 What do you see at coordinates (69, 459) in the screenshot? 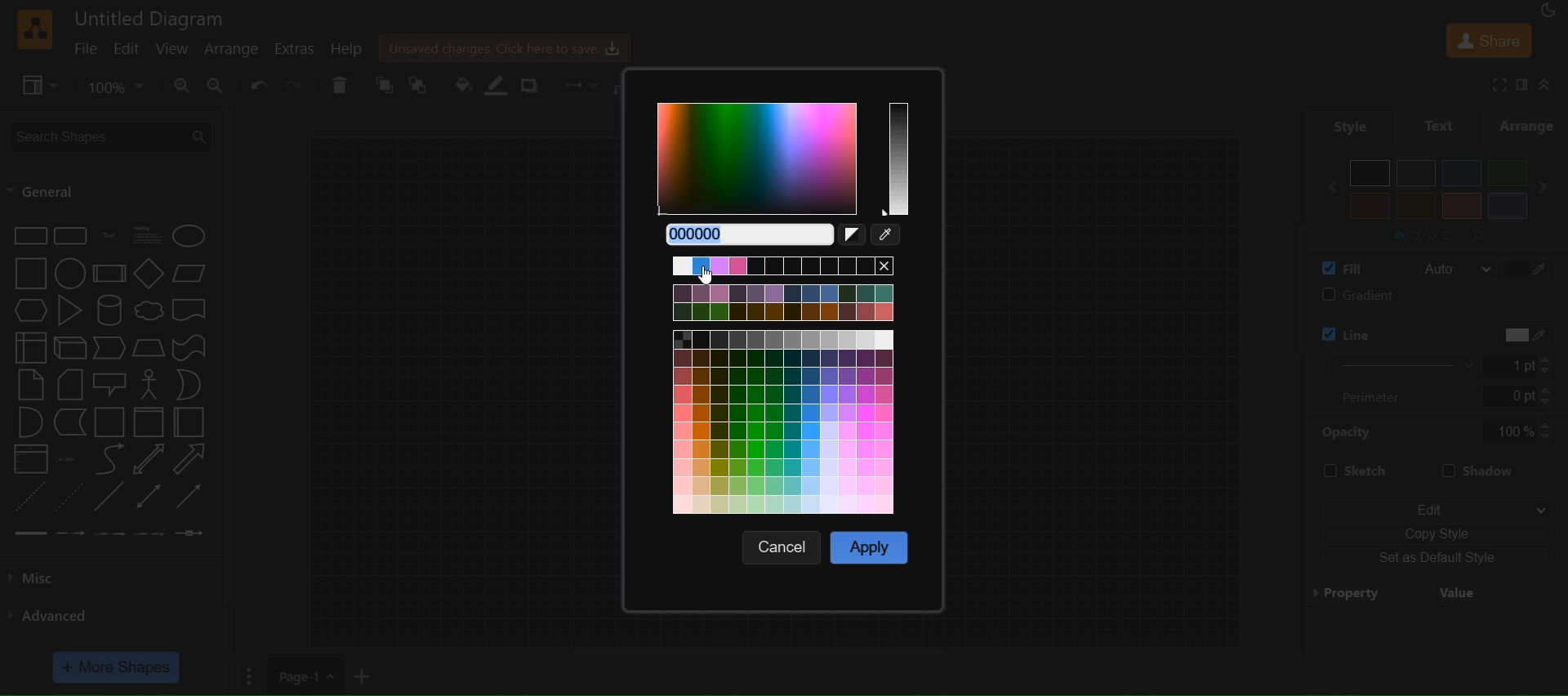
I see `list item` at bounding box center [69, 459].